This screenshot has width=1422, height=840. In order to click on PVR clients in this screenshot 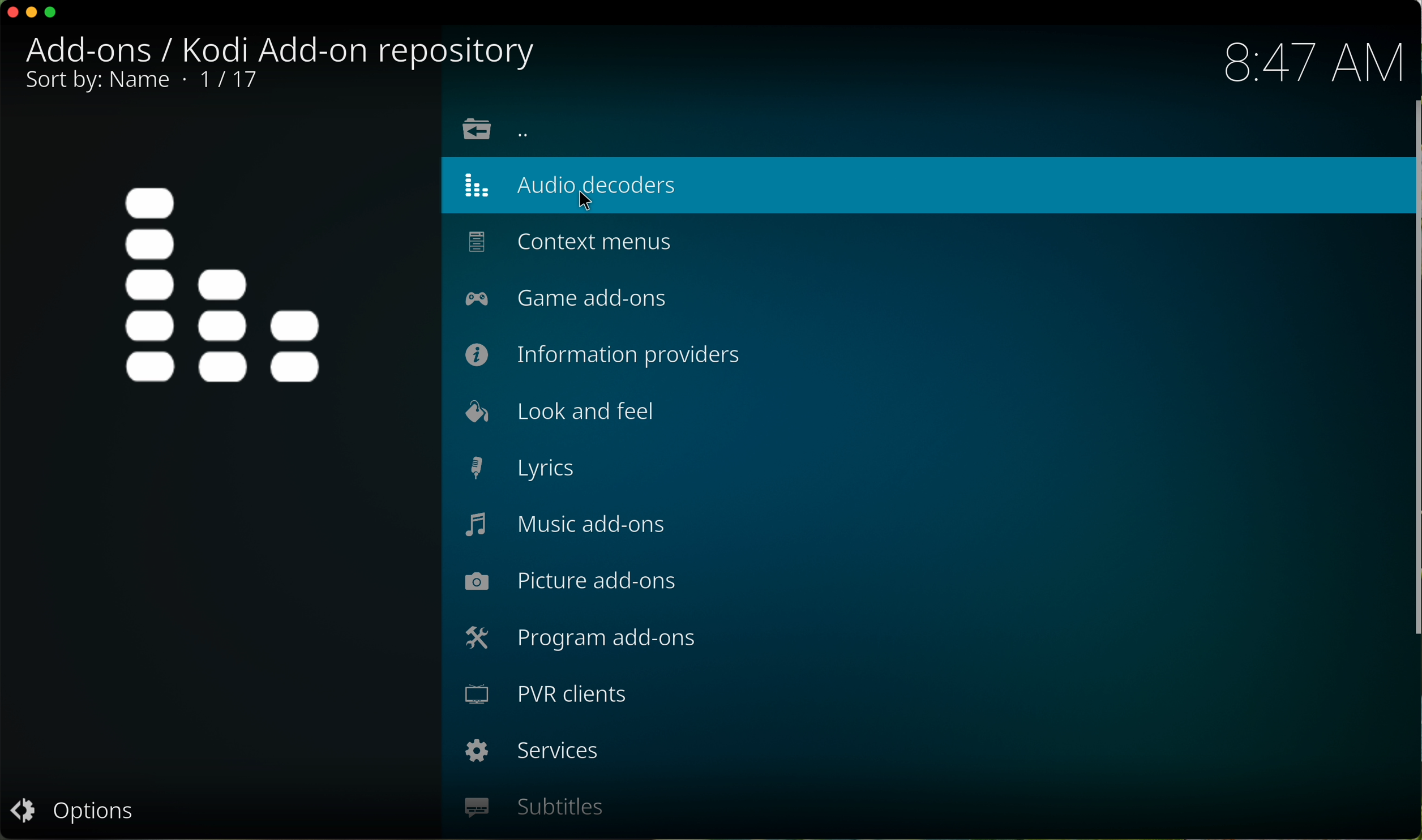, I will do `click(549, 698)`.